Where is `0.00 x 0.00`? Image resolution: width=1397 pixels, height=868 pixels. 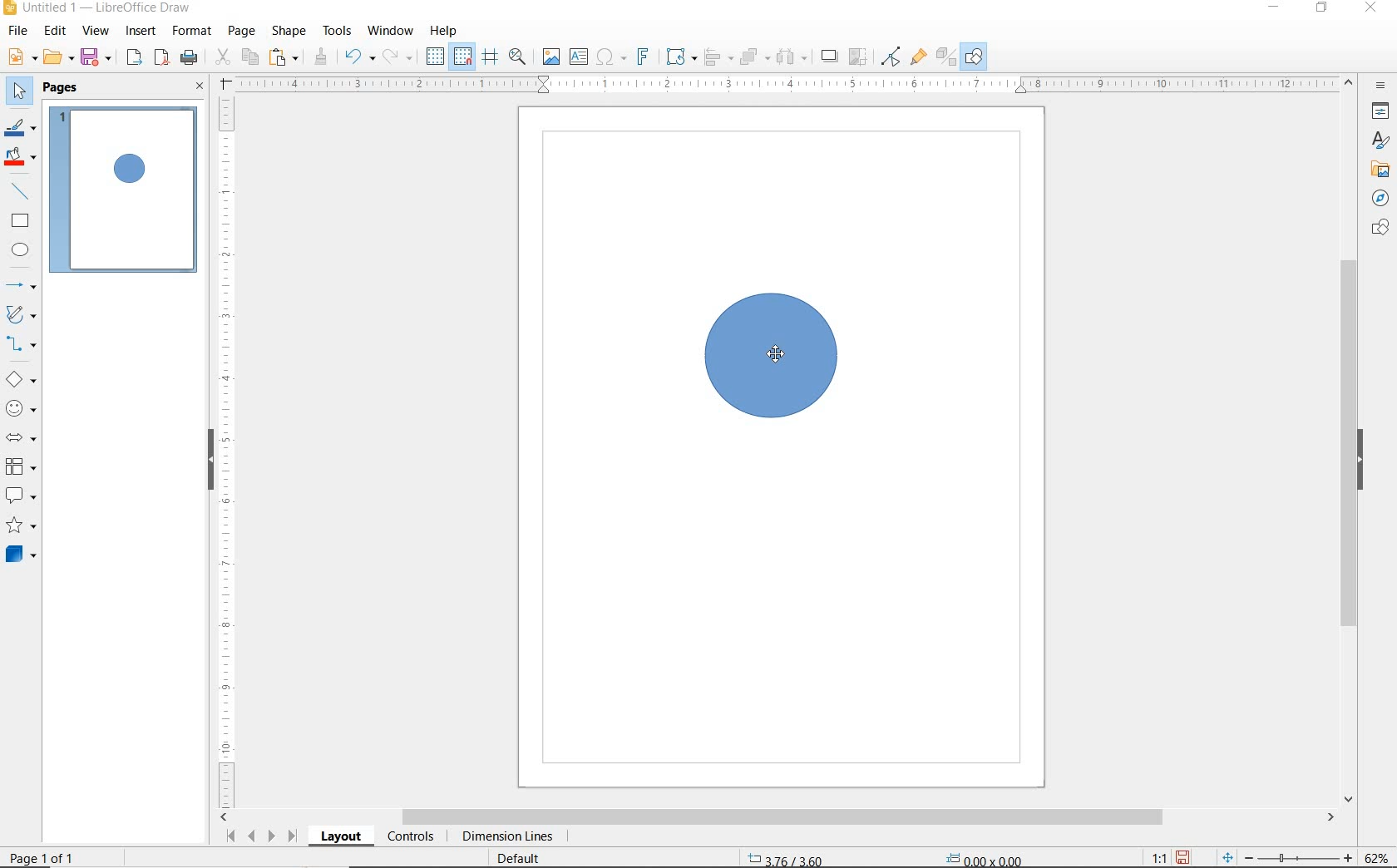 0.00 x 0.00 is located at coordinates (998, 859).